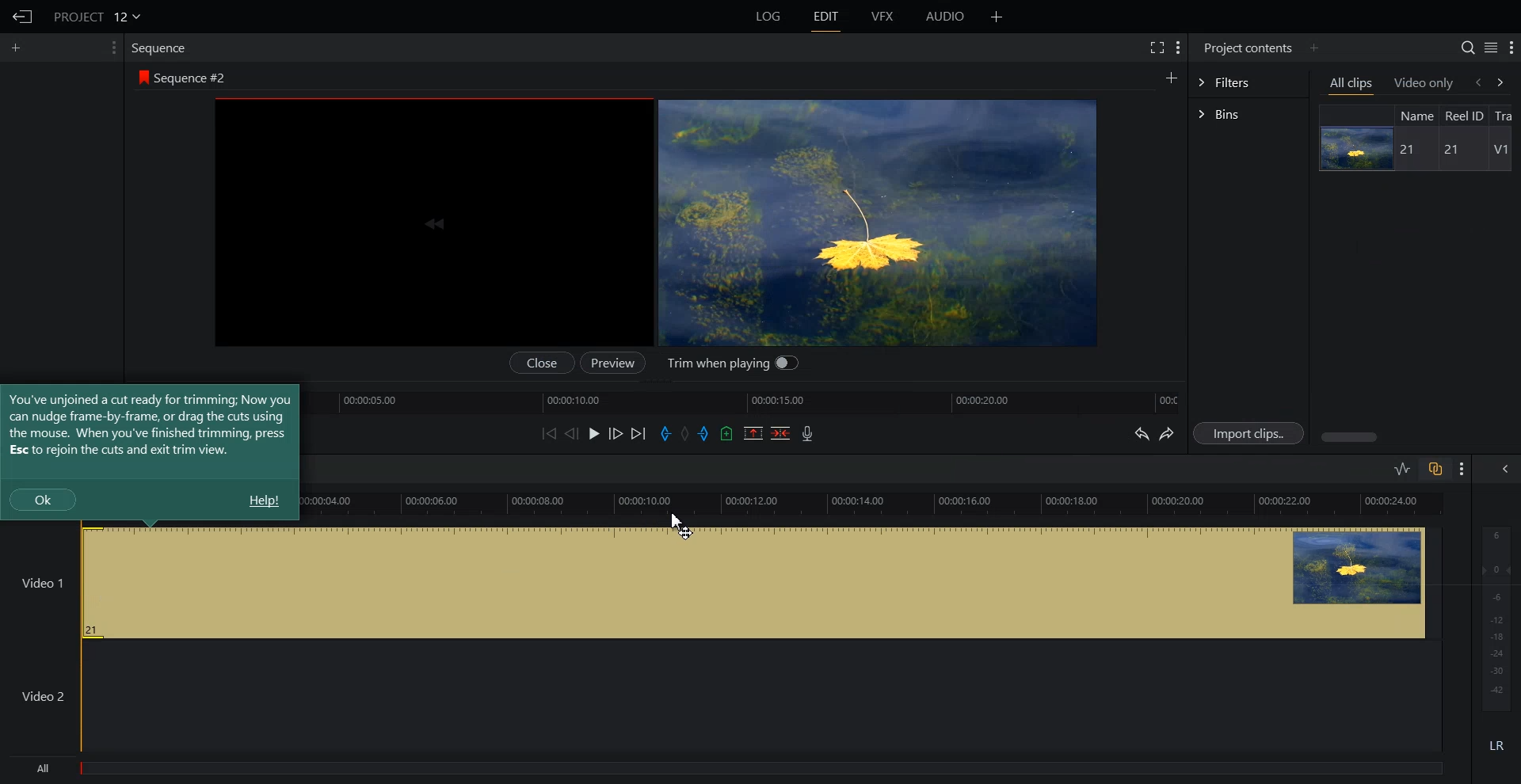  What do you see at coordinates (611, 363) in the screenshot?
I see `Preview` at bounding box center [611, 363].